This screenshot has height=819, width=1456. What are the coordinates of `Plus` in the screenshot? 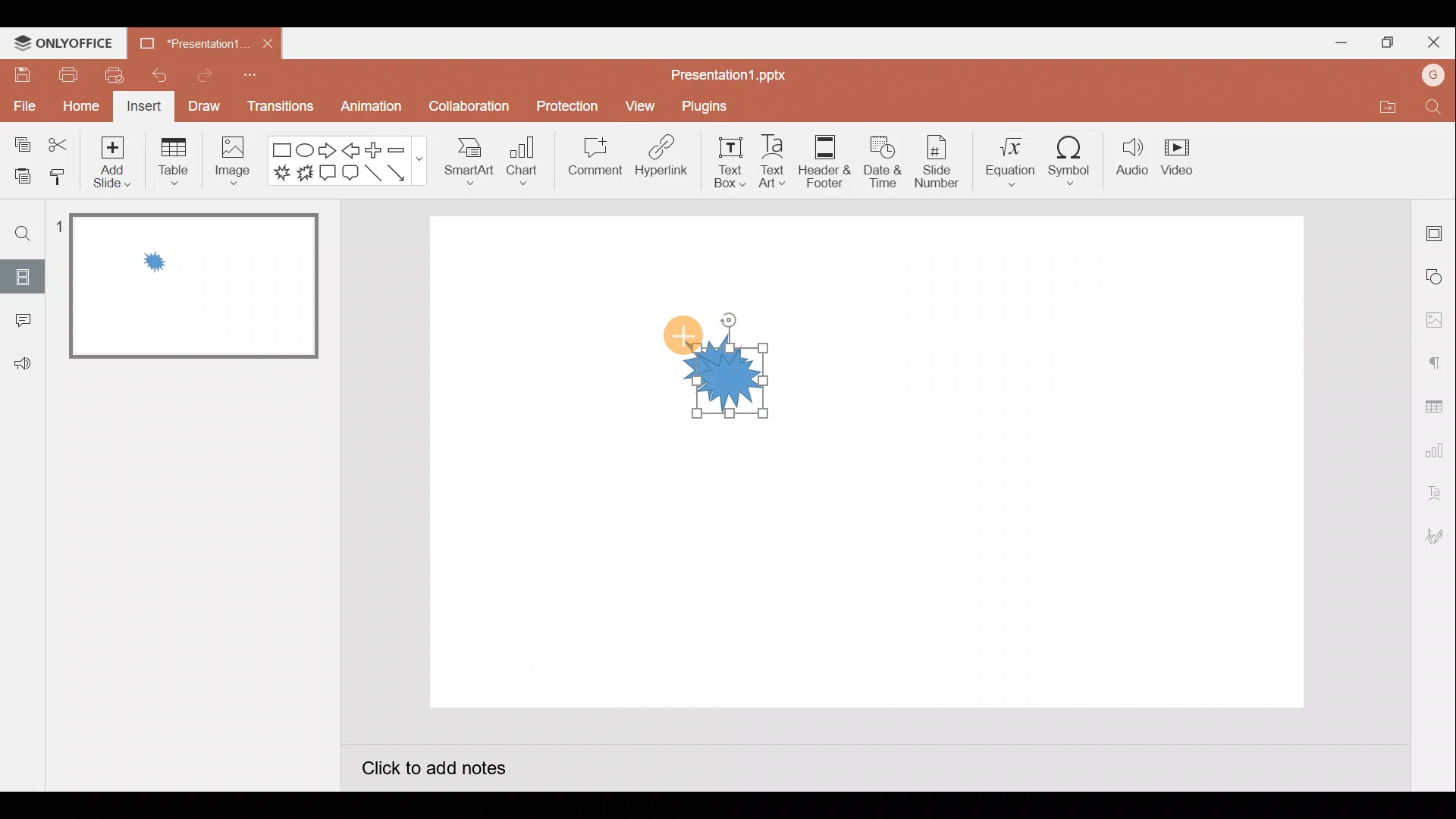 It's located at (372, 150).